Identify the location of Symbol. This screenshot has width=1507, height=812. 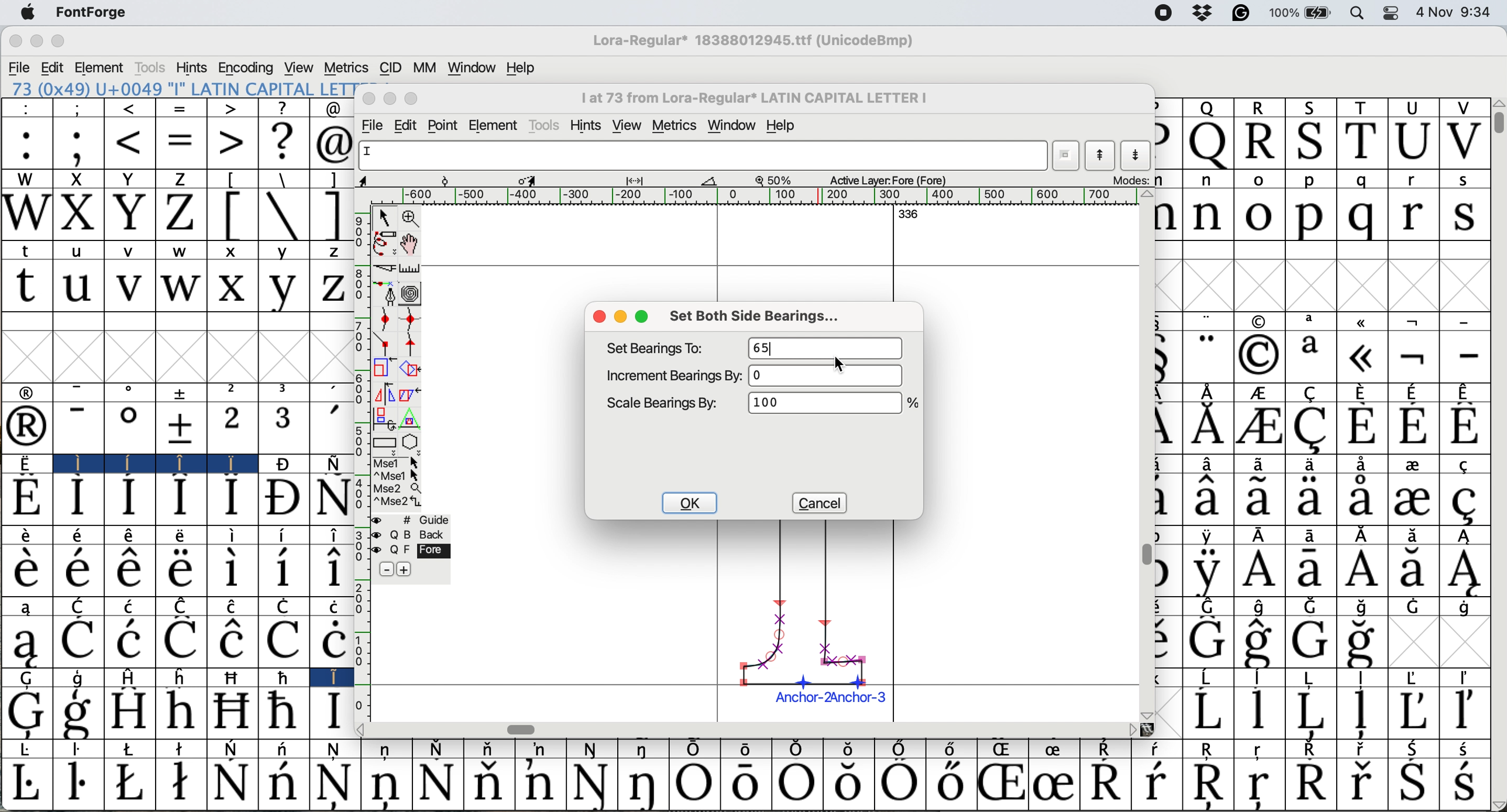
(1265, 606).